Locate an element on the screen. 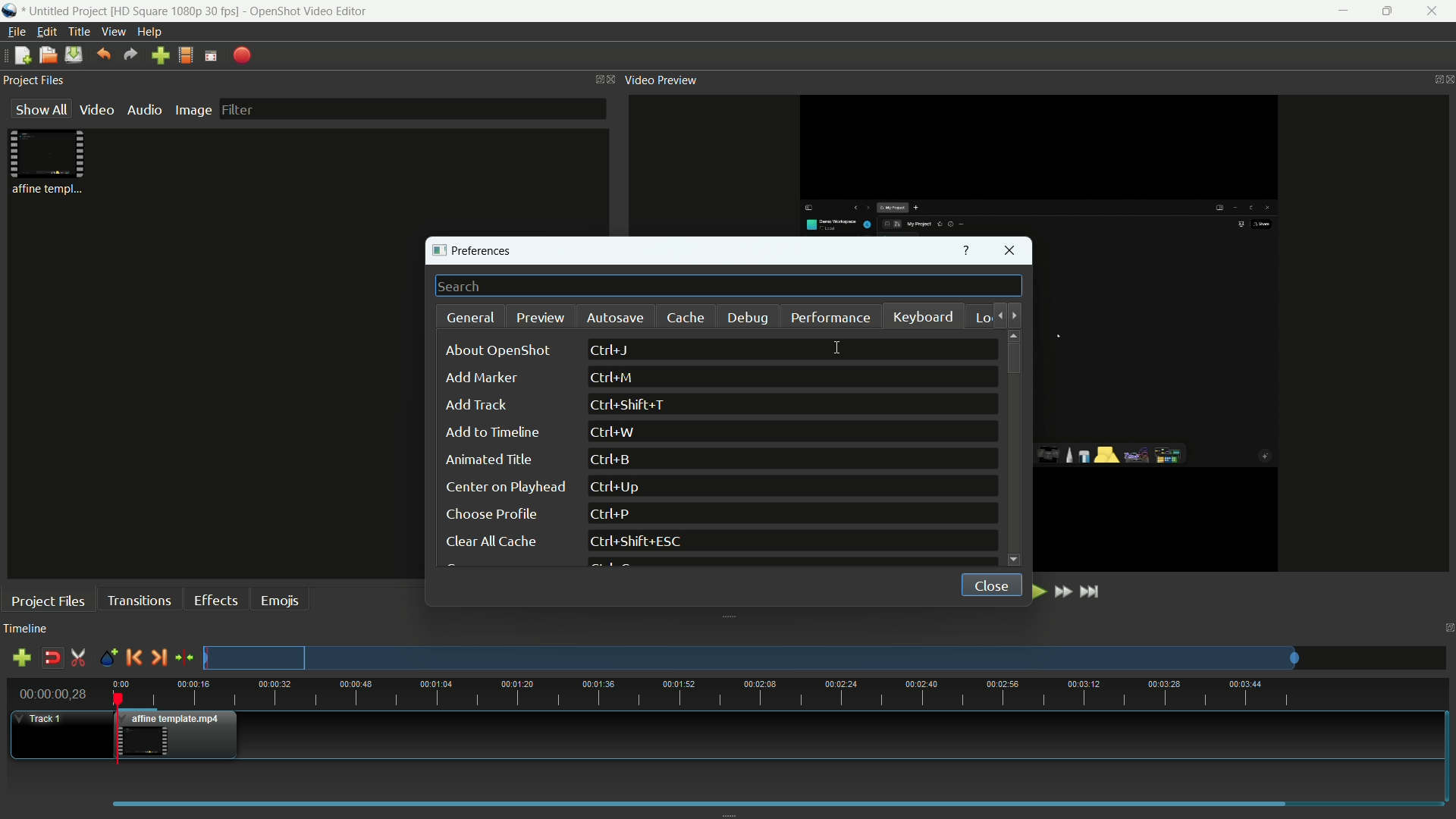  disable snap is located at coordinates (52, 658).